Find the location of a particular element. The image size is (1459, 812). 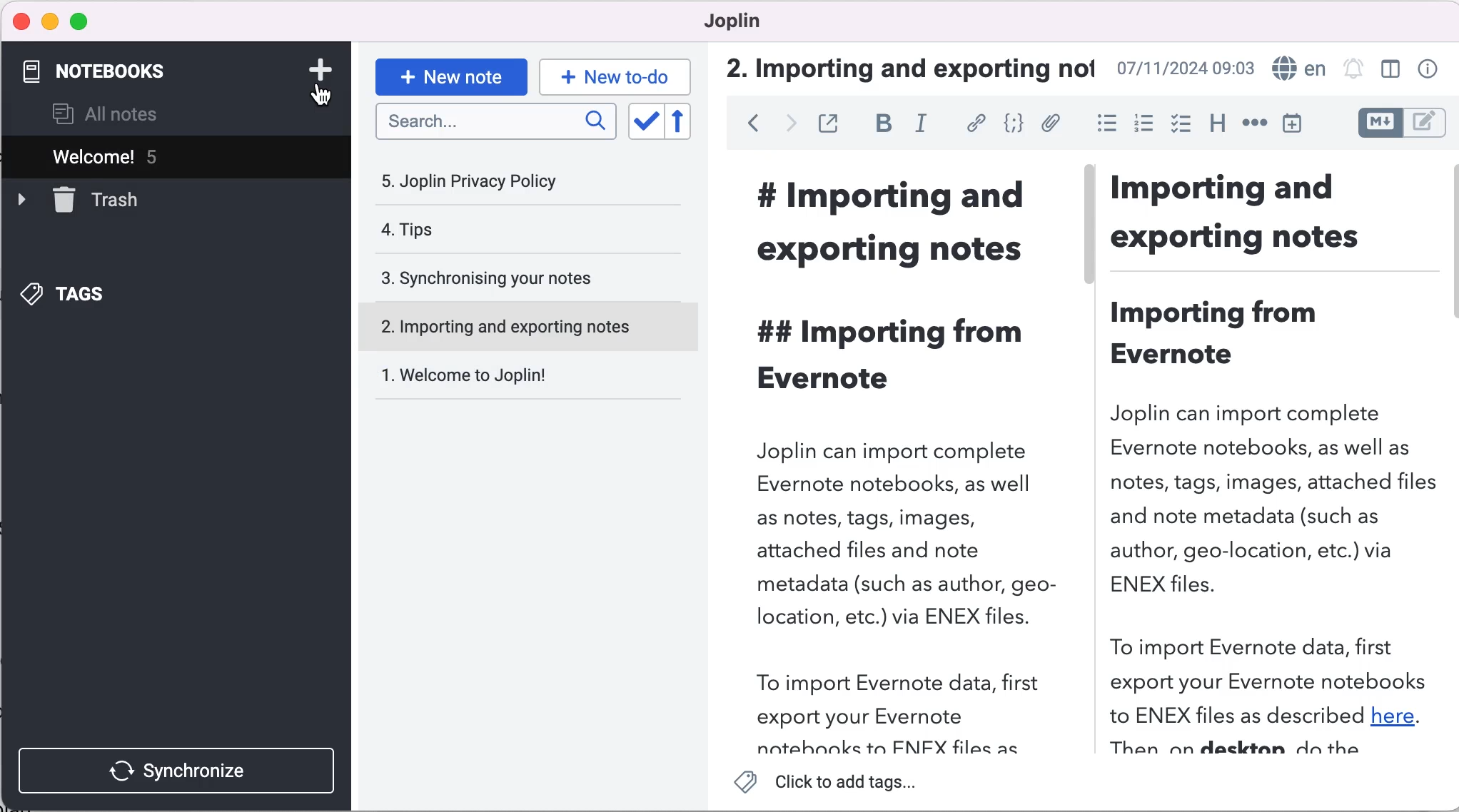

reverse sort order is located at coordinates (690, 124).